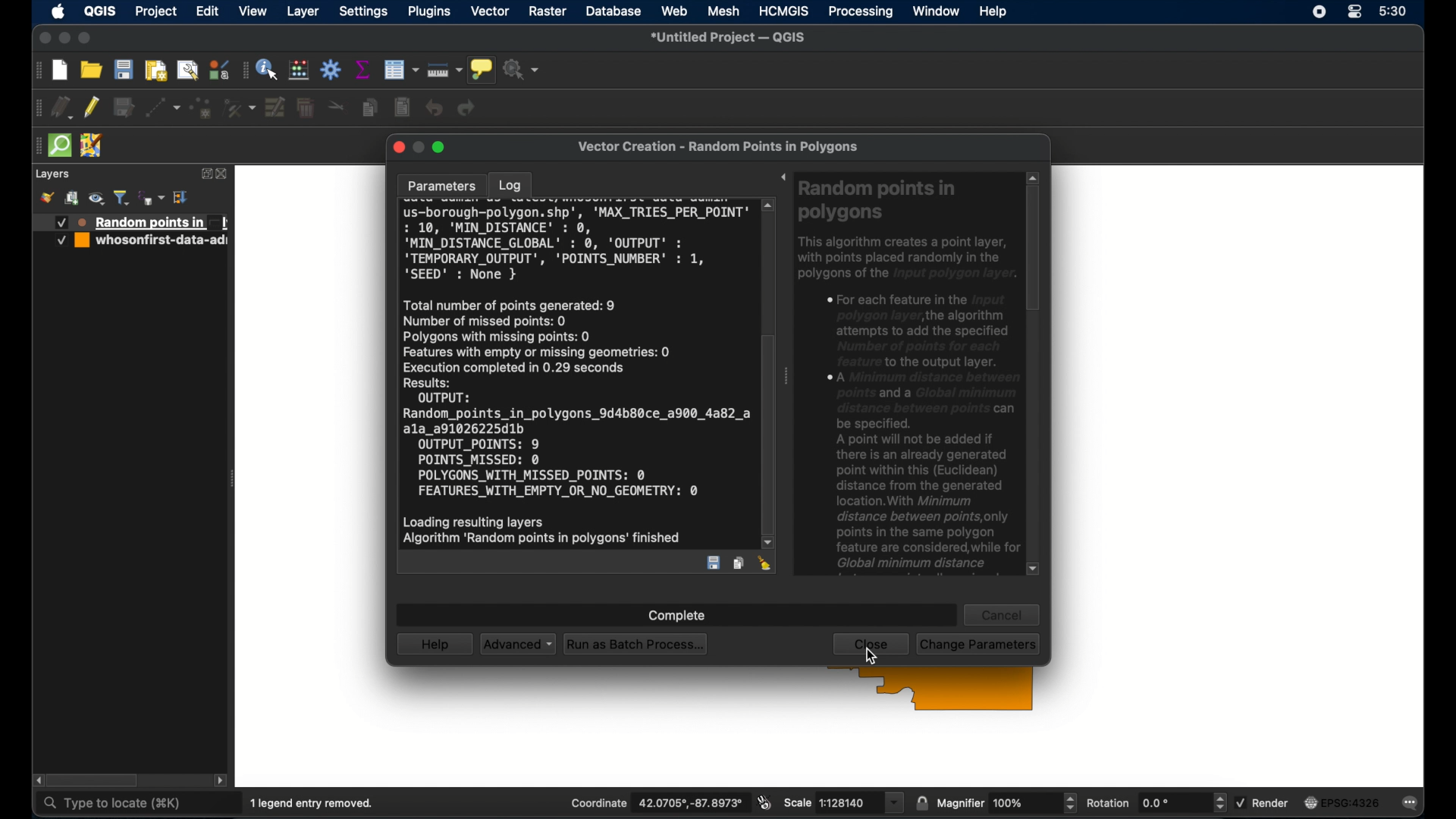 The image size is (1456, 819). I want to click on open field  calculator, so click(300, 71).